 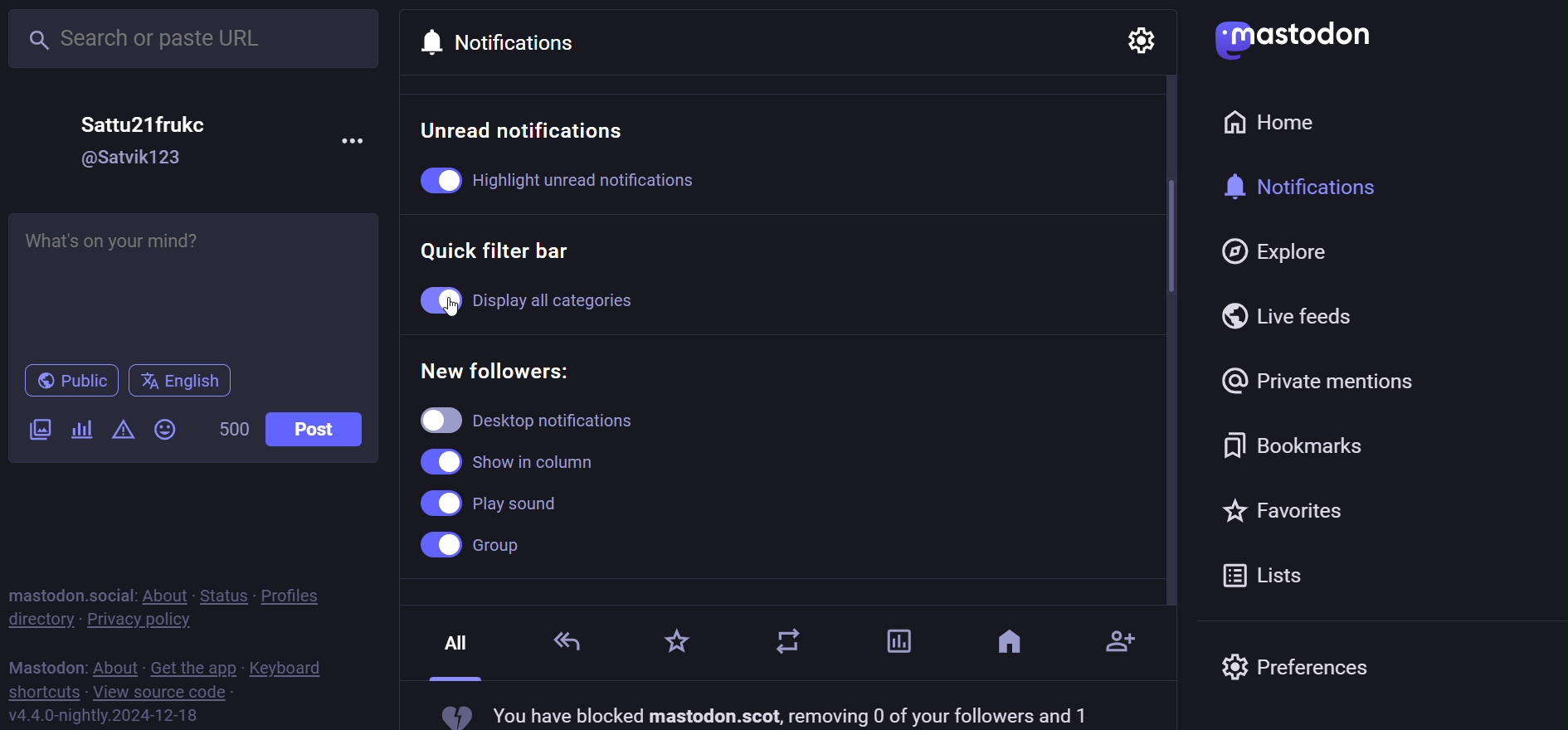 I want to click on preferences, so click(x=1297, y=671).